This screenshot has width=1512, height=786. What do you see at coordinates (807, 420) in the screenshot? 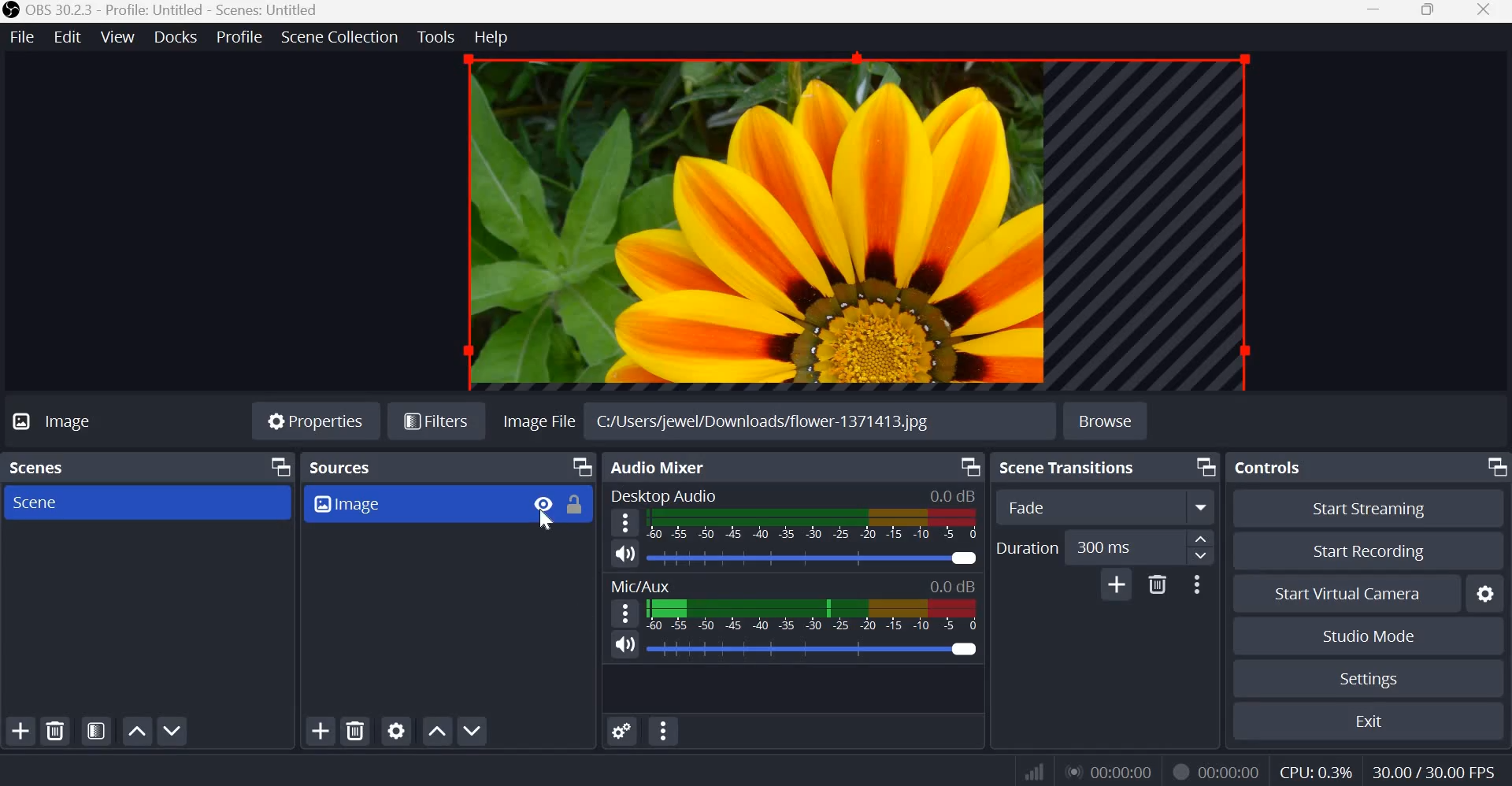
I see `C:/Users/jewel/Downloads/flower-1371413.jpg` at bounding box center [807, 420].